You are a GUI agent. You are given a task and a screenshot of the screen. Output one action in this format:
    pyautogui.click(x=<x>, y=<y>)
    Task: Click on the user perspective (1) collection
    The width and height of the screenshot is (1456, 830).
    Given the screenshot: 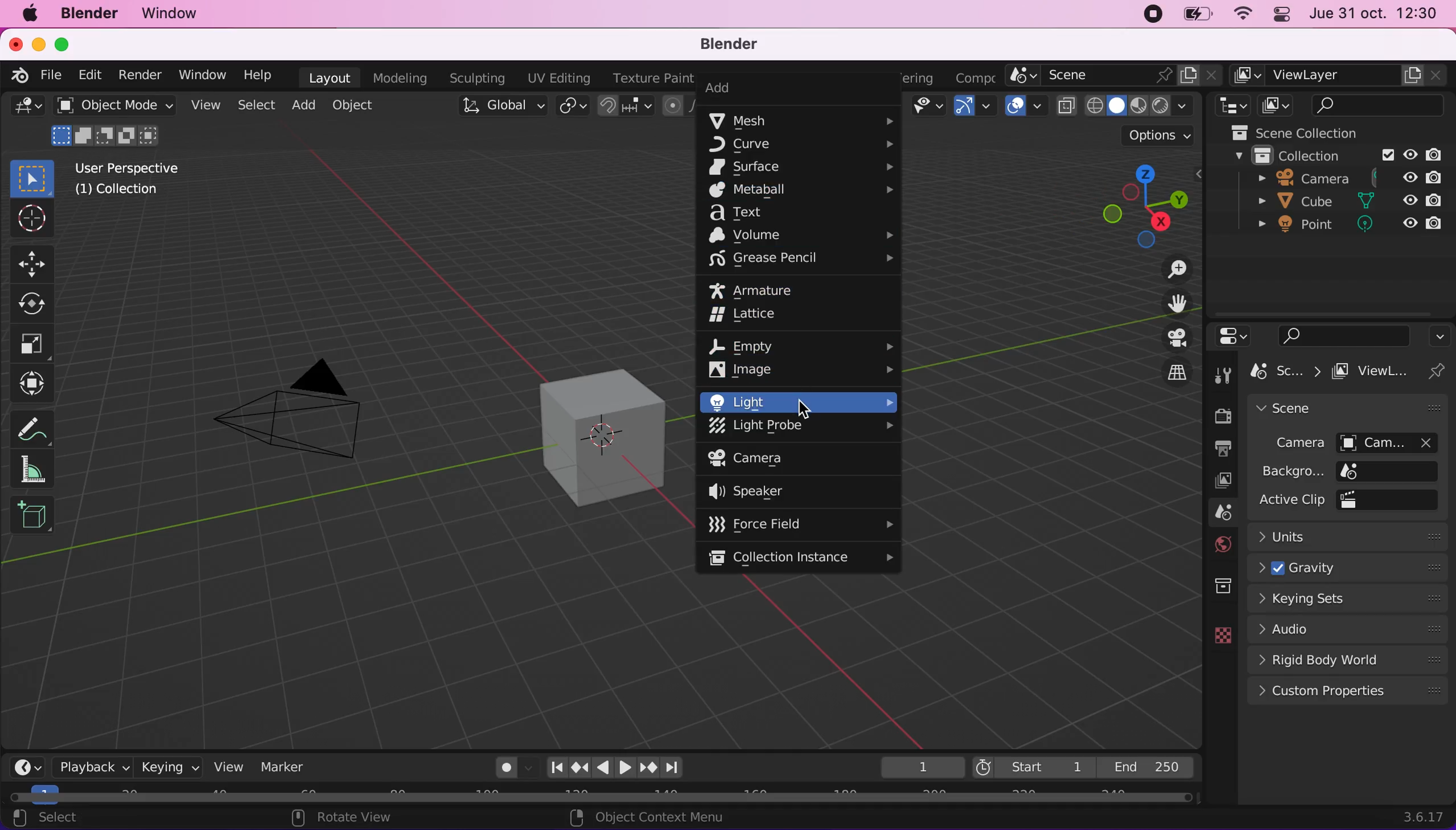 What is the action you would take?
    pyautogui.click(x=132, y=178)
    